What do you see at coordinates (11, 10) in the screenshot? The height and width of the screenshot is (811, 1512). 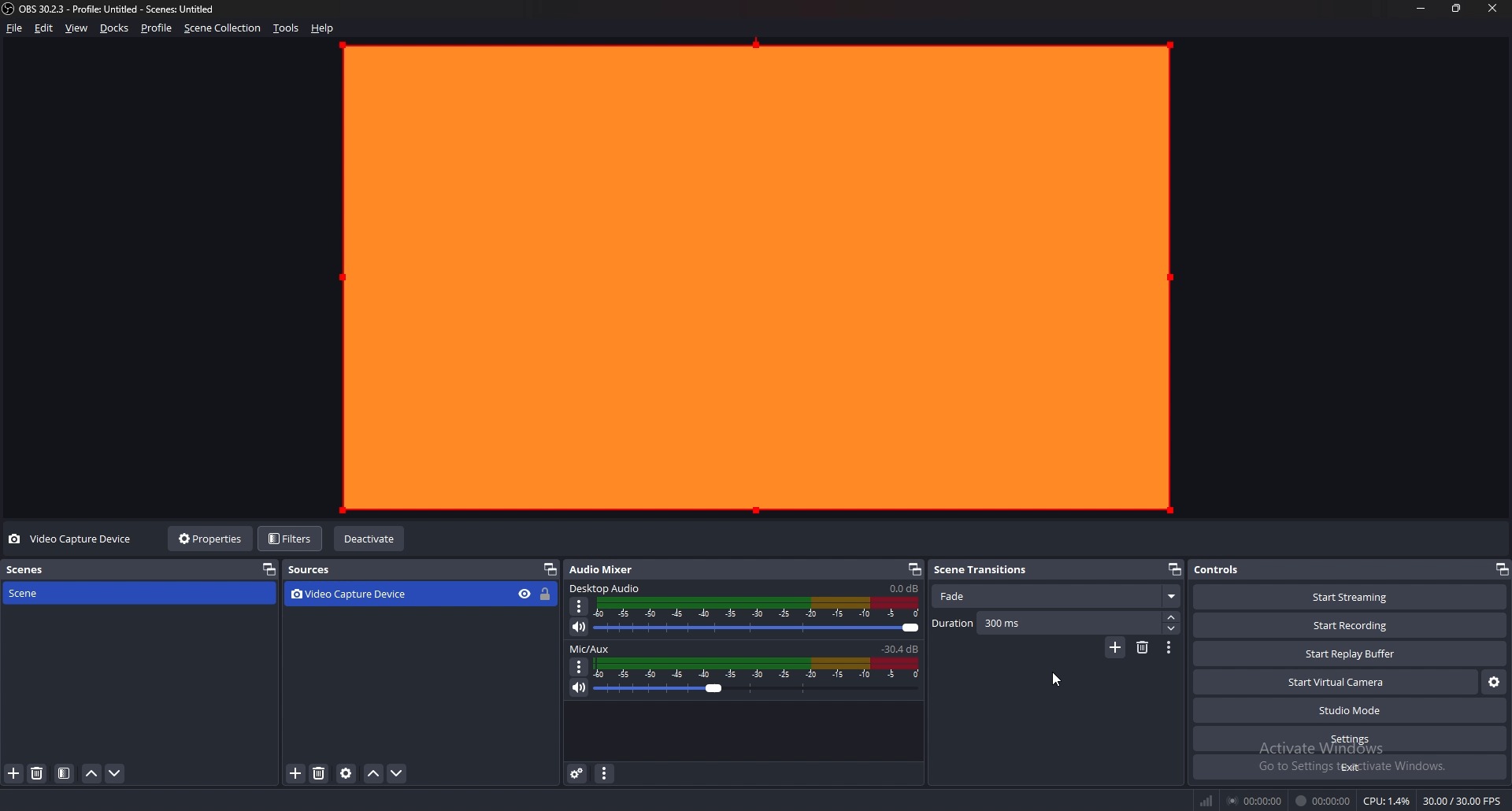 I see `obs logo` at bounding box center [11, 10].